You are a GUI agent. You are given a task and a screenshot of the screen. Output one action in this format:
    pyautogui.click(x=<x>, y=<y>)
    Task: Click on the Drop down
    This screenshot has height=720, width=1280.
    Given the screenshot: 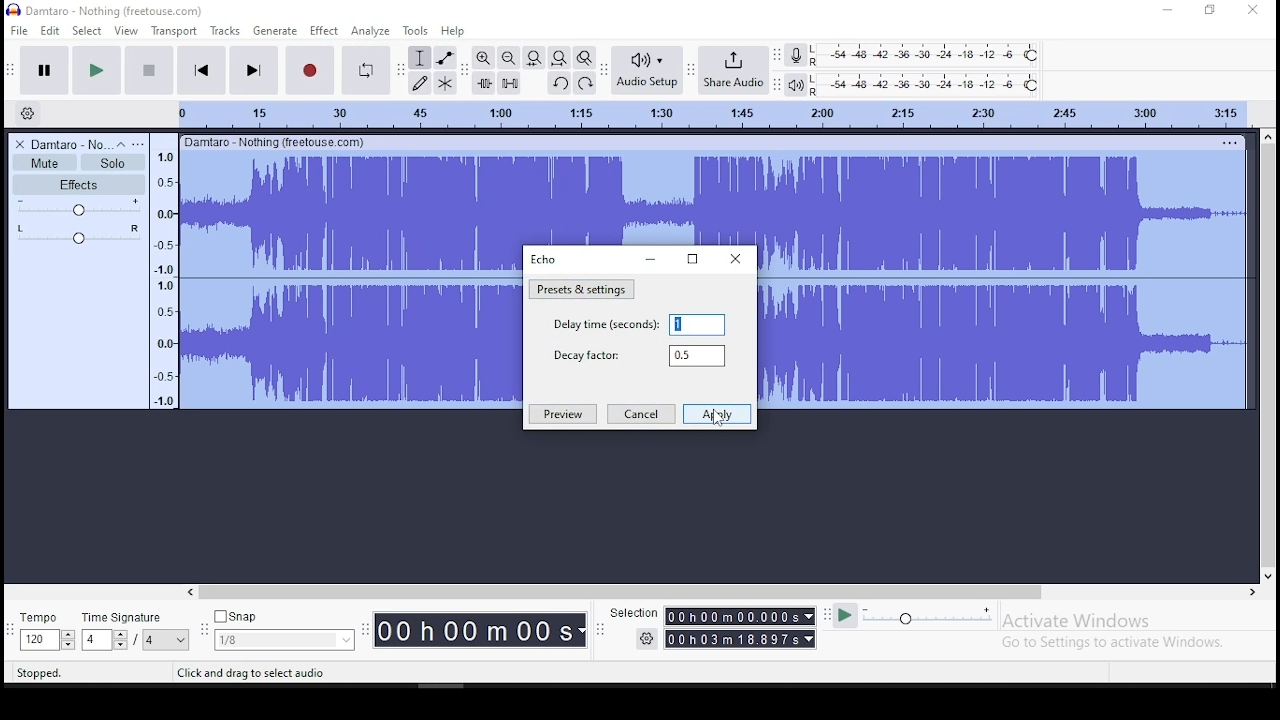 What is the action you would take?
    pyautogui.click(x=809, y=639)
    